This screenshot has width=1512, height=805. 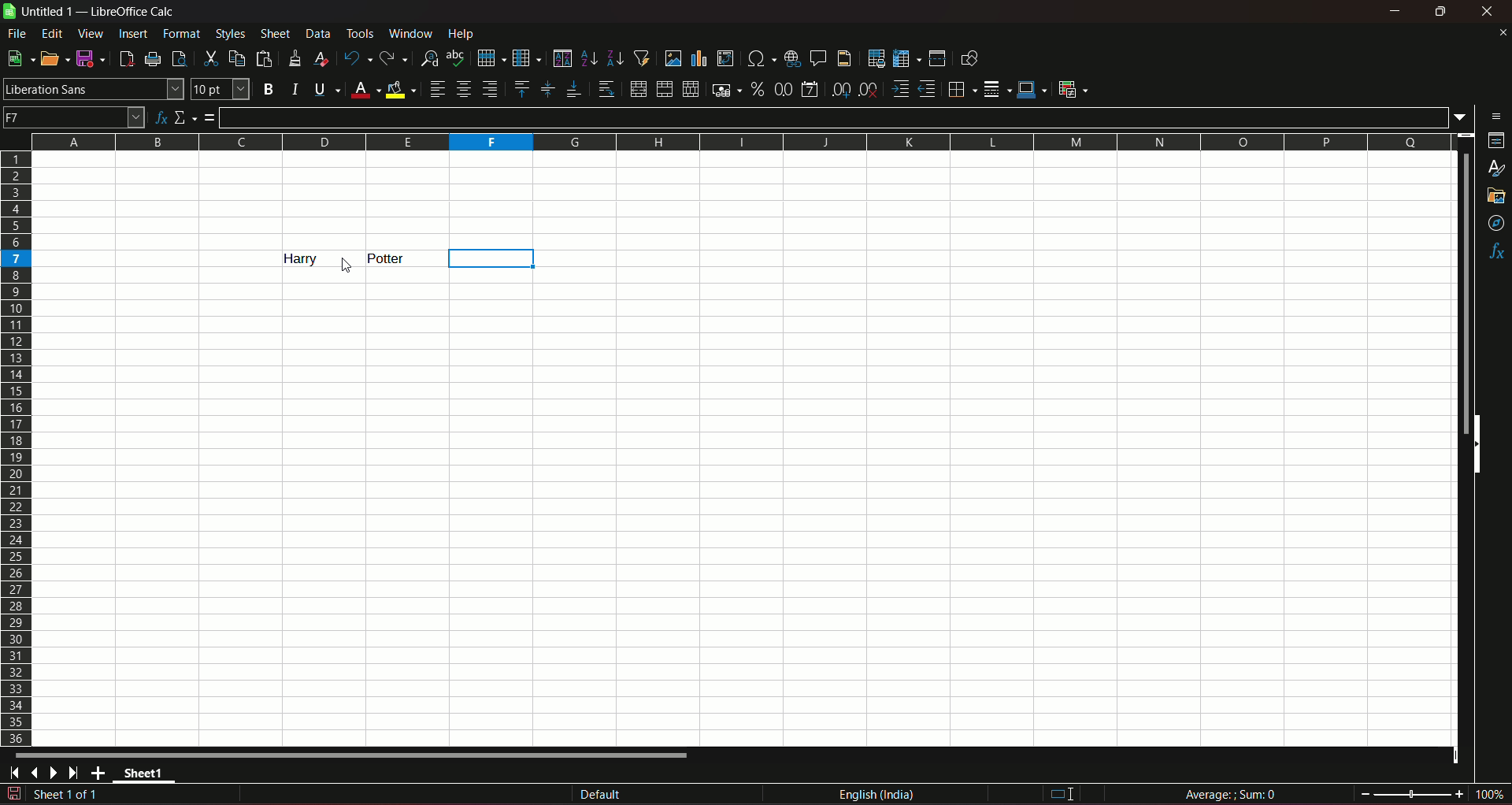 I want to click on show draw functions, so click(x=969, y=57).